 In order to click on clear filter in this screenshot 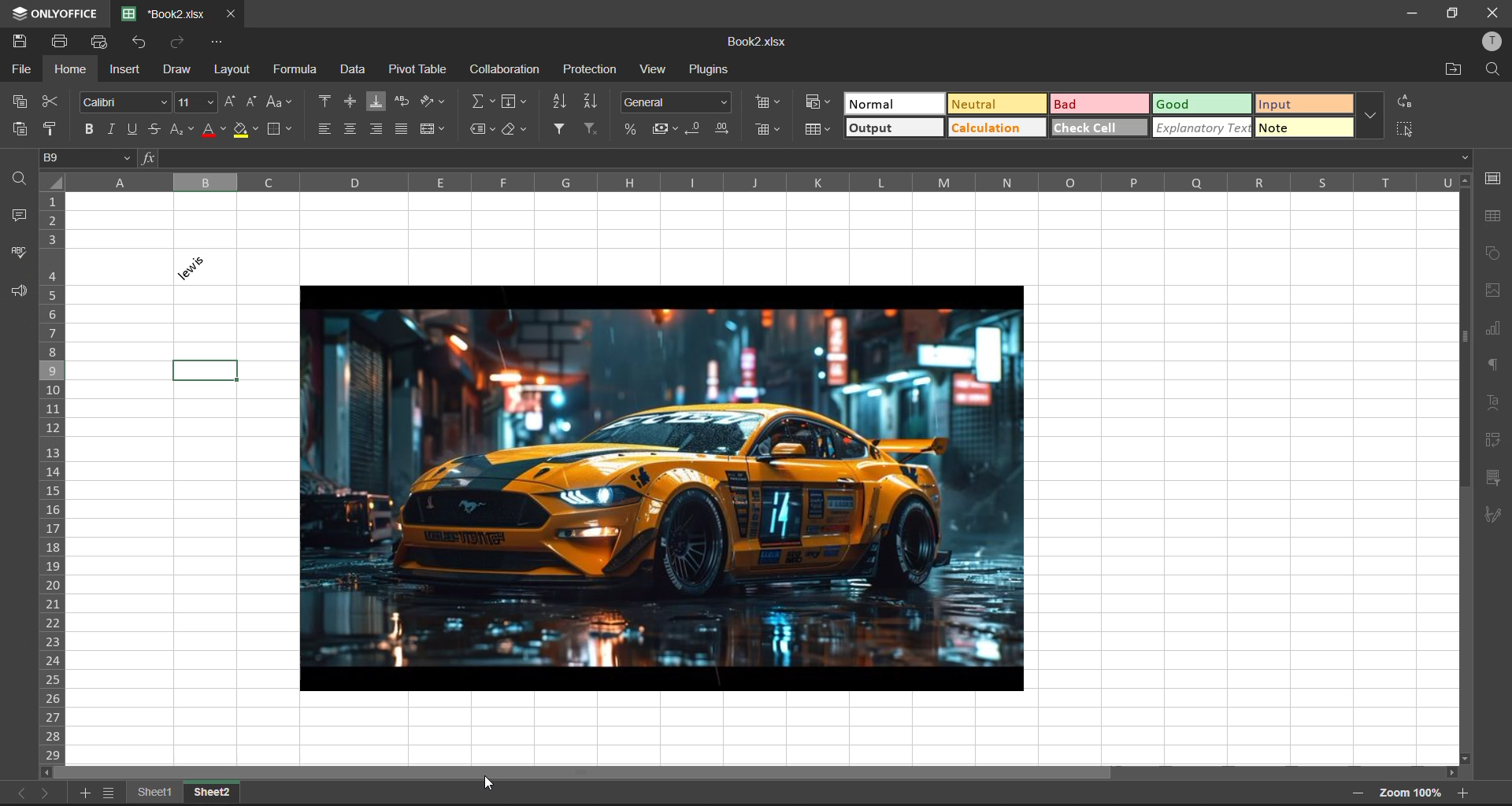, I will do `click(591, 130)`.